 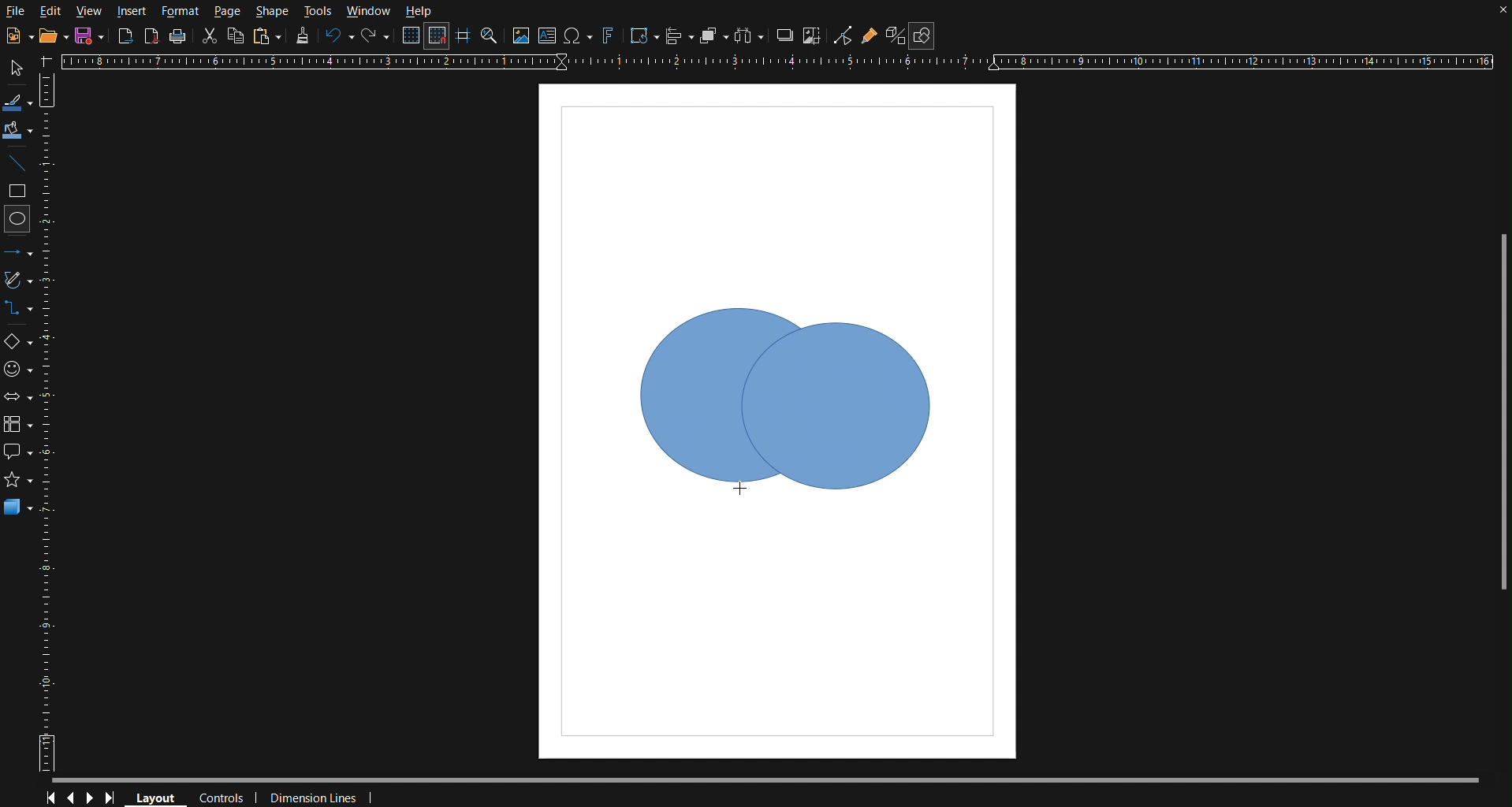 I want to click on Export, so click(x=125, y=36).